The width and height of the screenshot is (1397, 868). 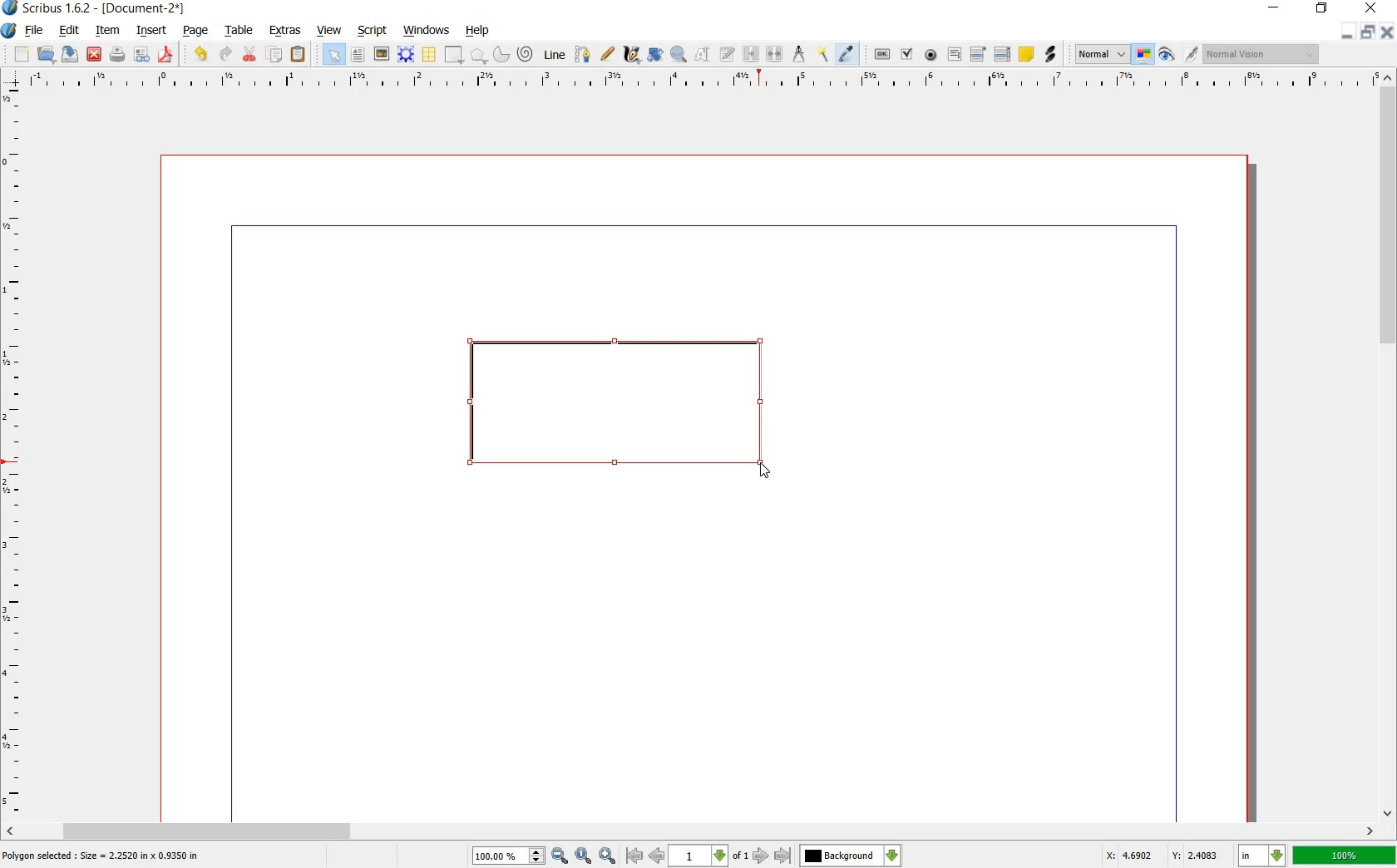 I want to click on PASTE, so click(x=299, y=54).